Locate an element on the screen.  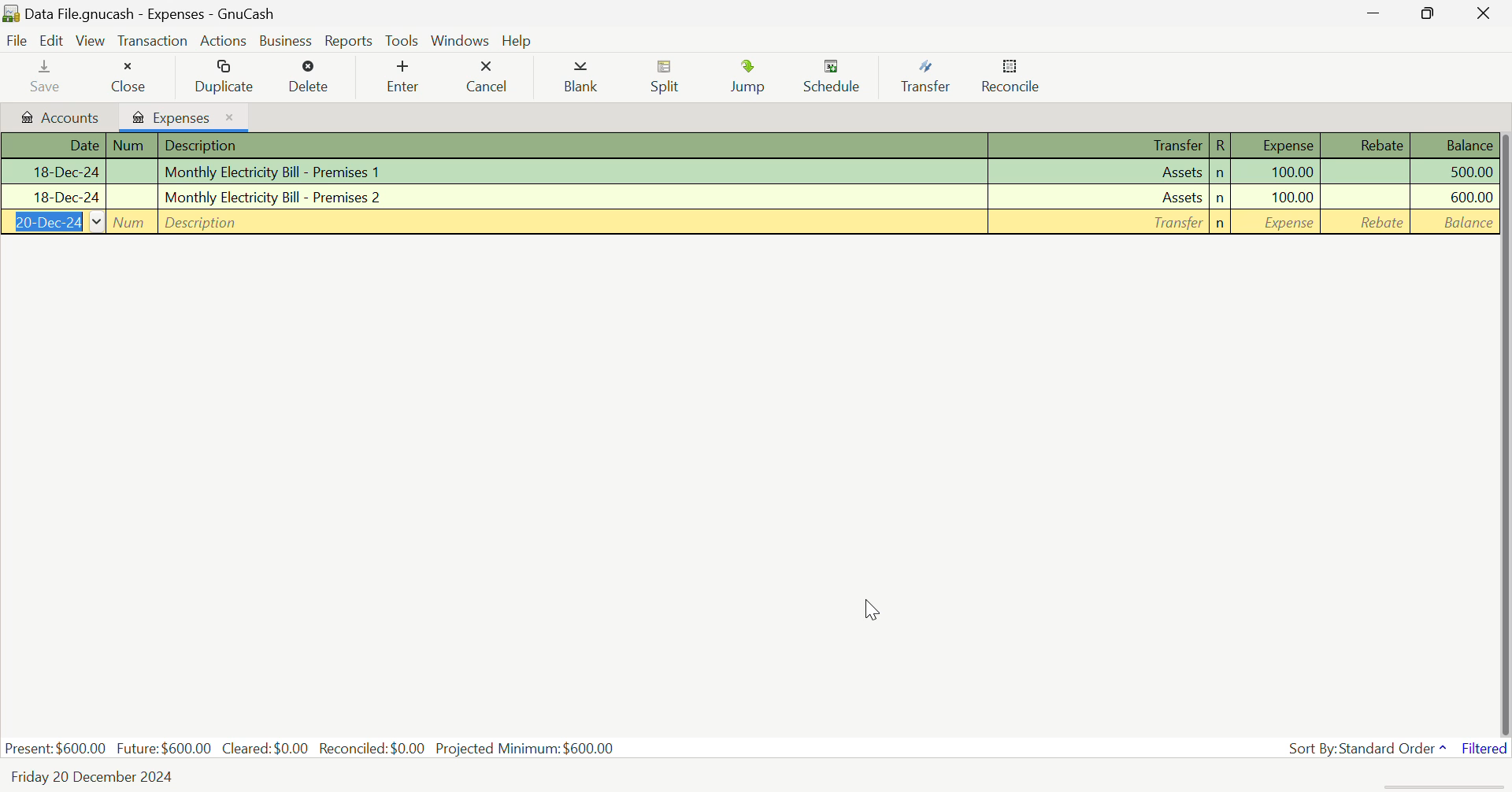
Data File.gnucash - Expenses - GnuCash is located at coordinates (141, 13).